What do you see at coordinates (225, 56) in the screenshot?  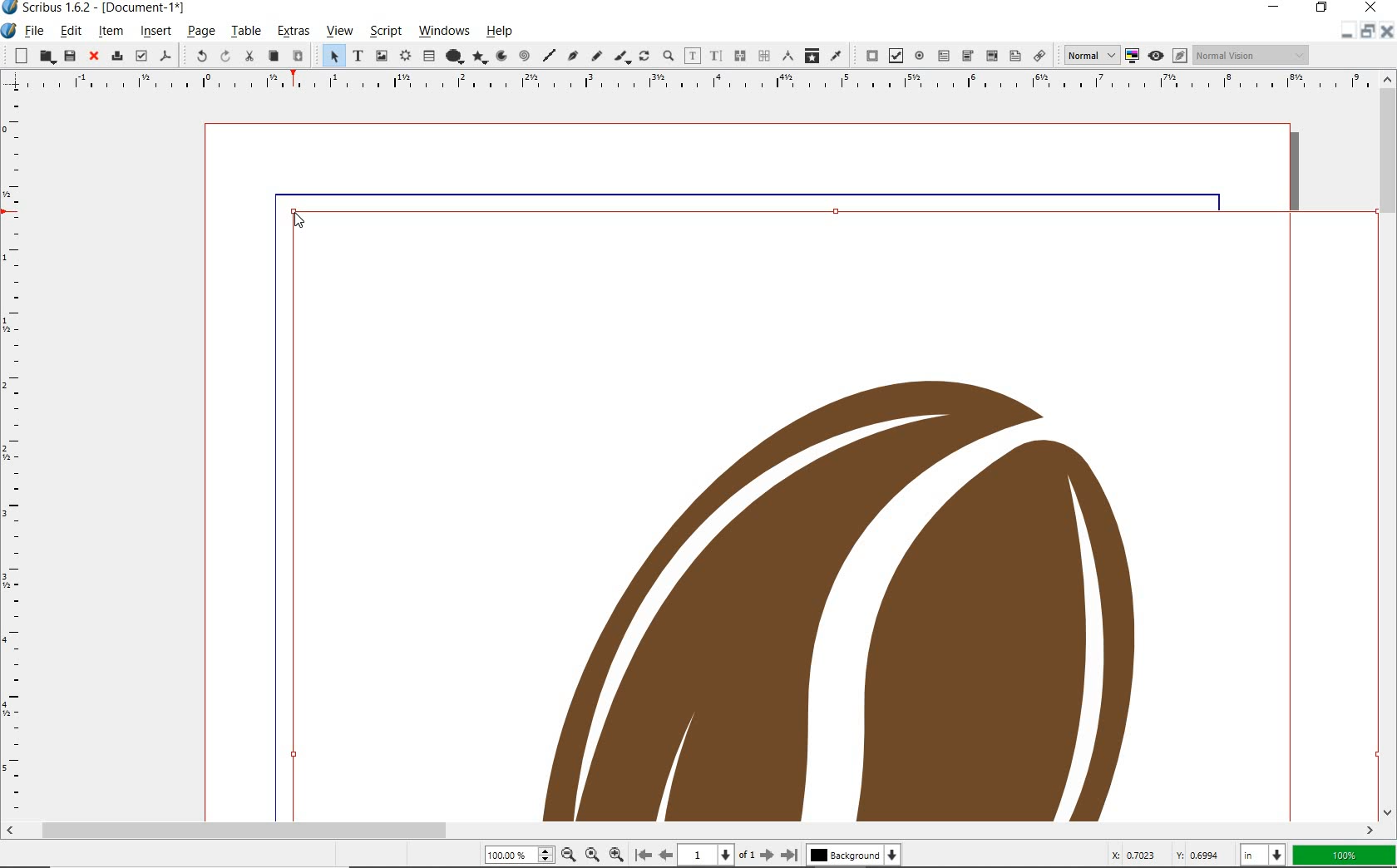 I see `redo` at bounding box center [225, 56].